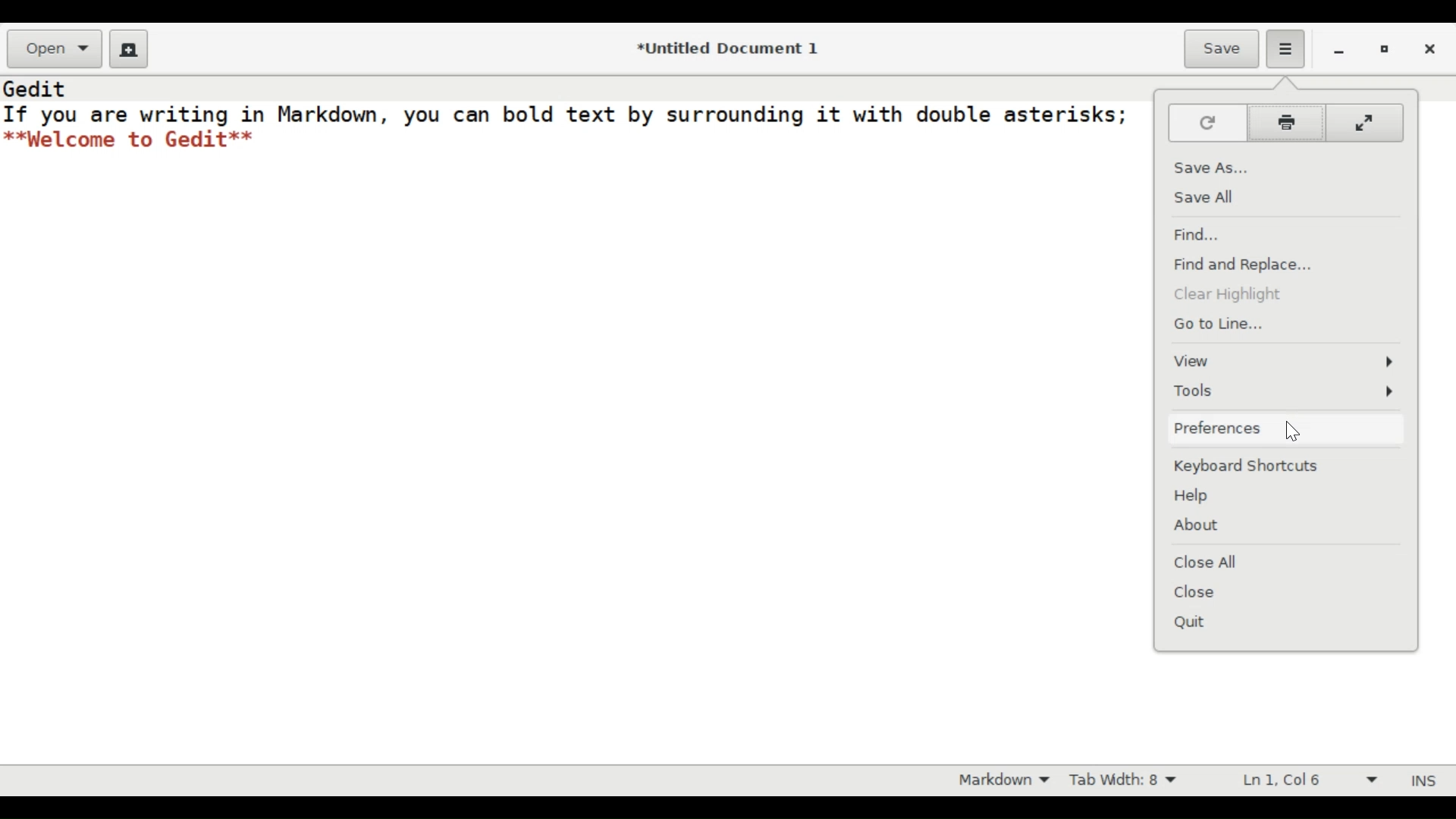  I want to click on Save  All, so click(1216, 197).